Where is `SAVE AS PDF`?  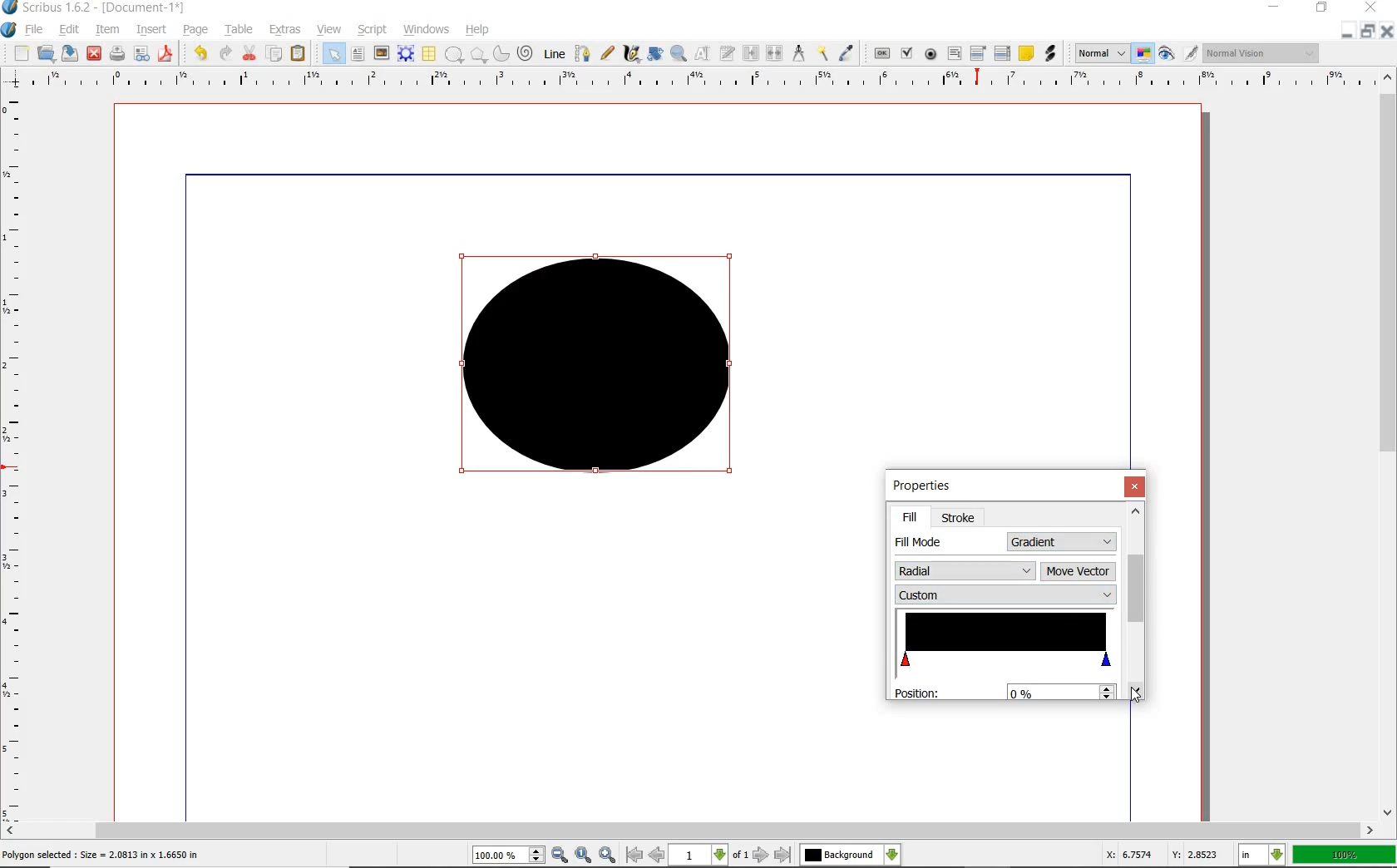
SAVE AS PDF is located at coordinates (167, 55).